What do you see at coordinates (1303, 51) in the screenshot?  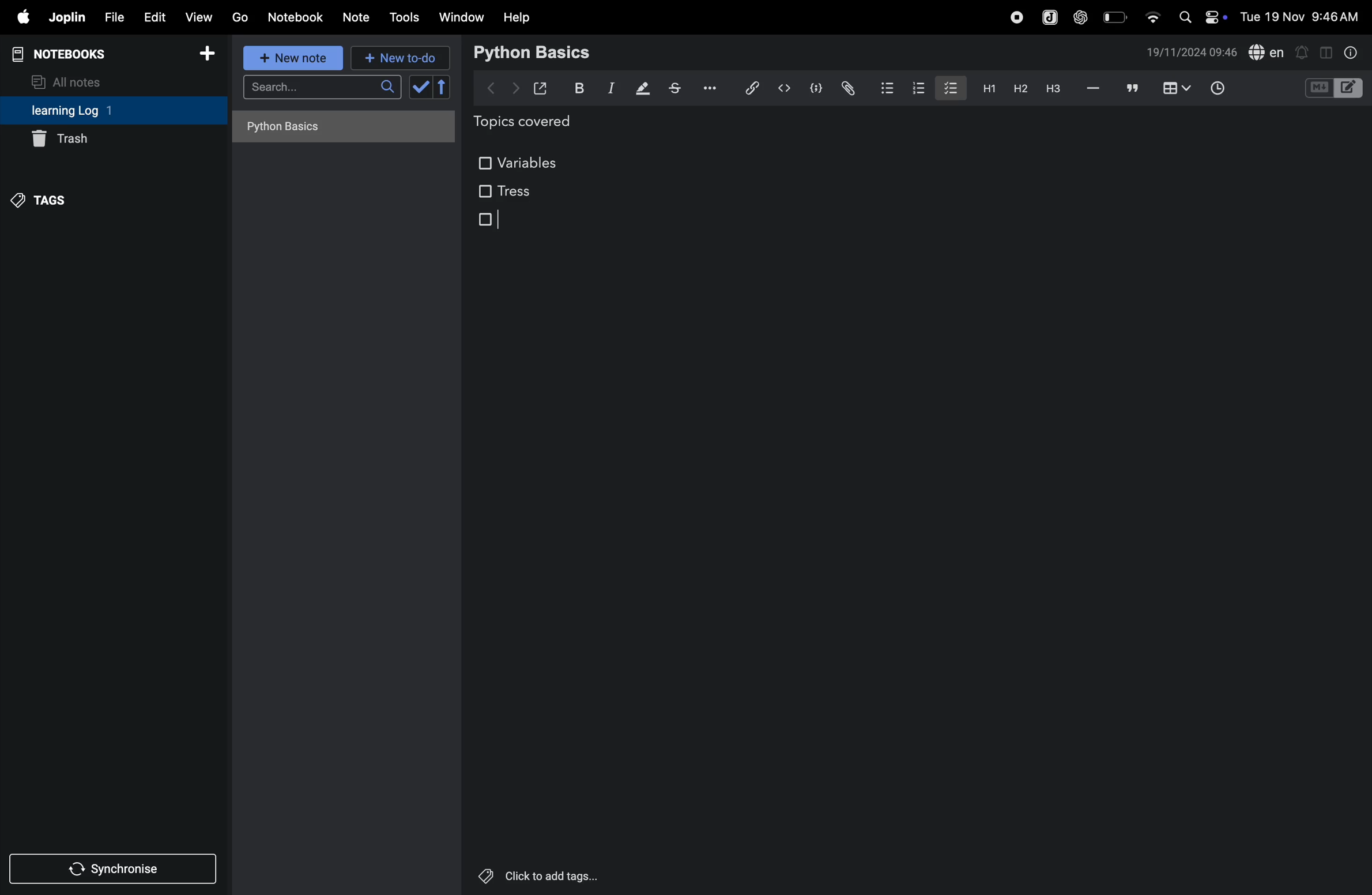 I see `alert` at bounding box center [1303, 51].